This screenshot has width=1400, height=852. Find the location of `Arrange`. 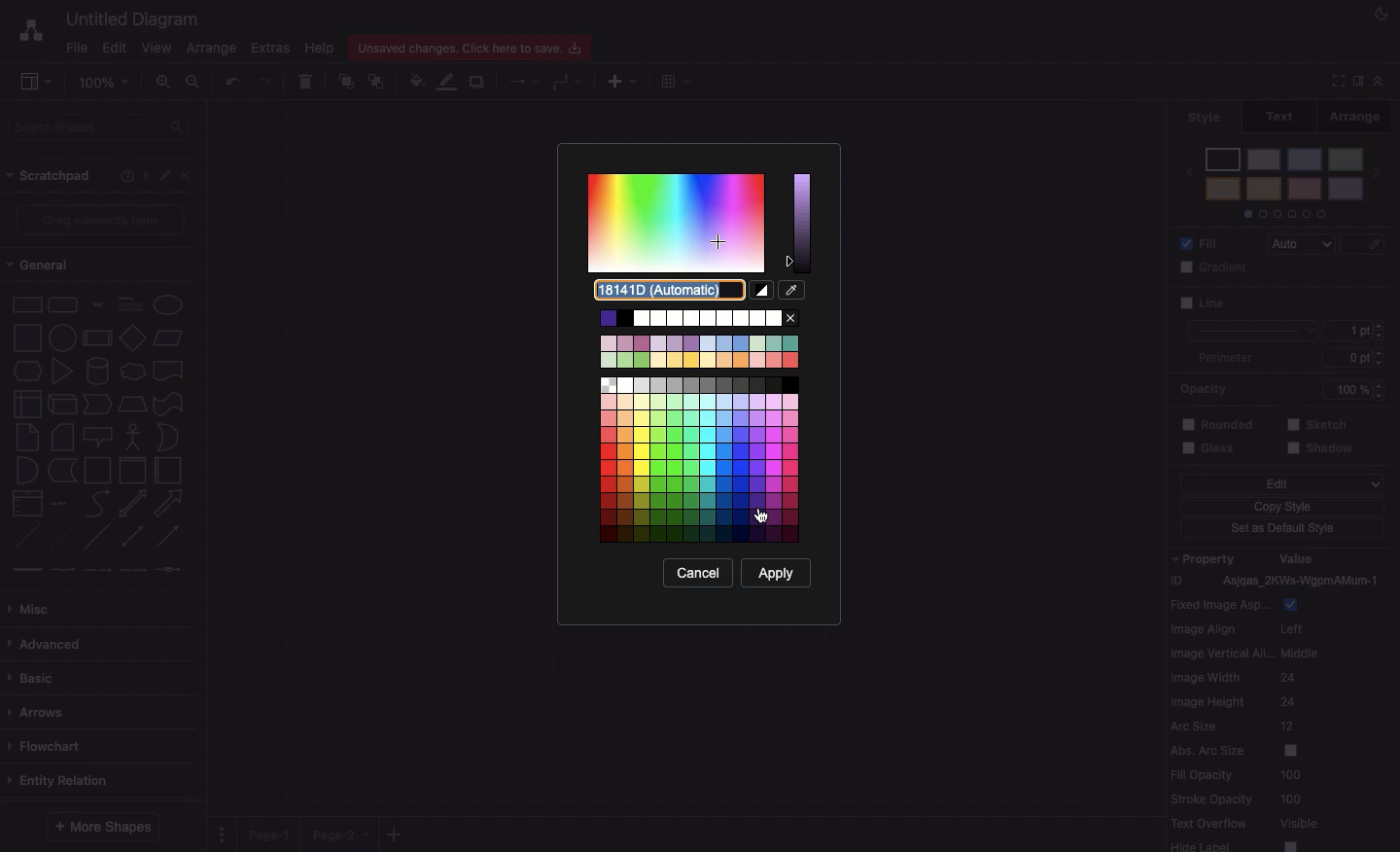

Arrange is located at coordinates (1364, 115).